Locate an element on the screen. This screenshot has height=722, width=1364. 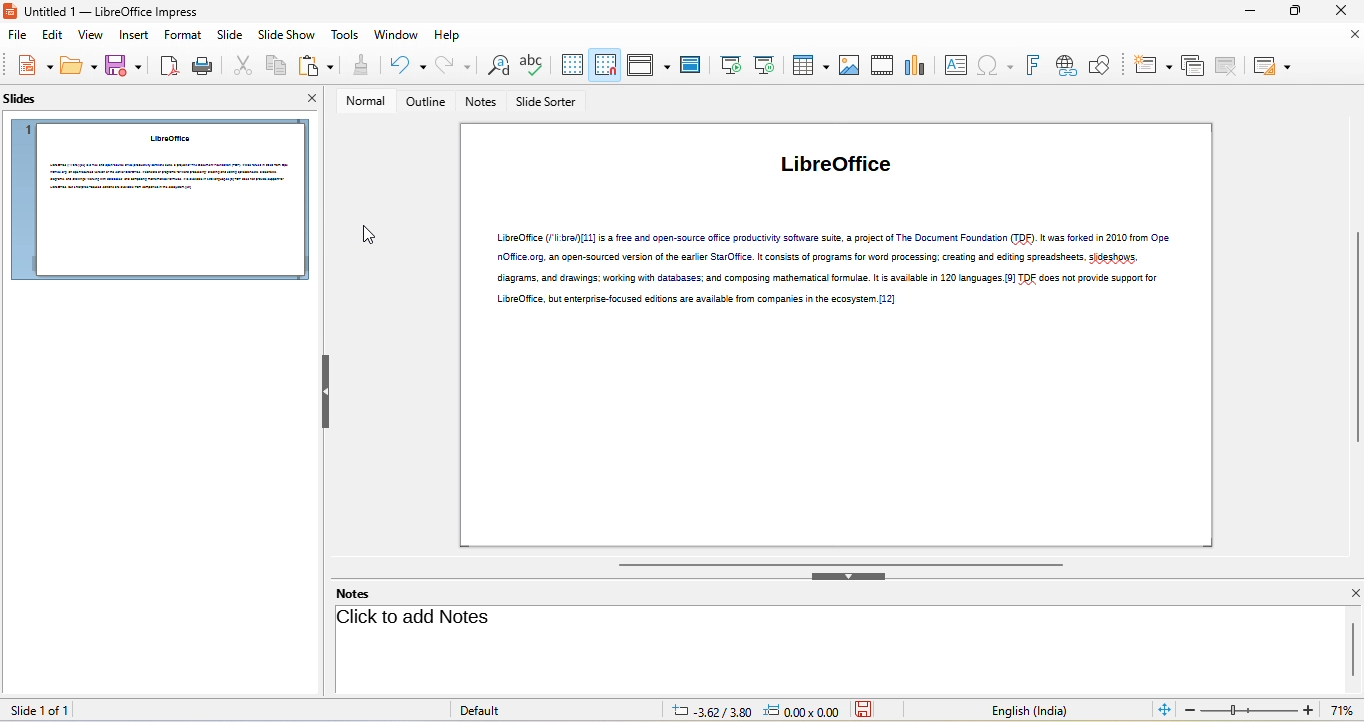
snap to grid is located at coordinates (609, 68).